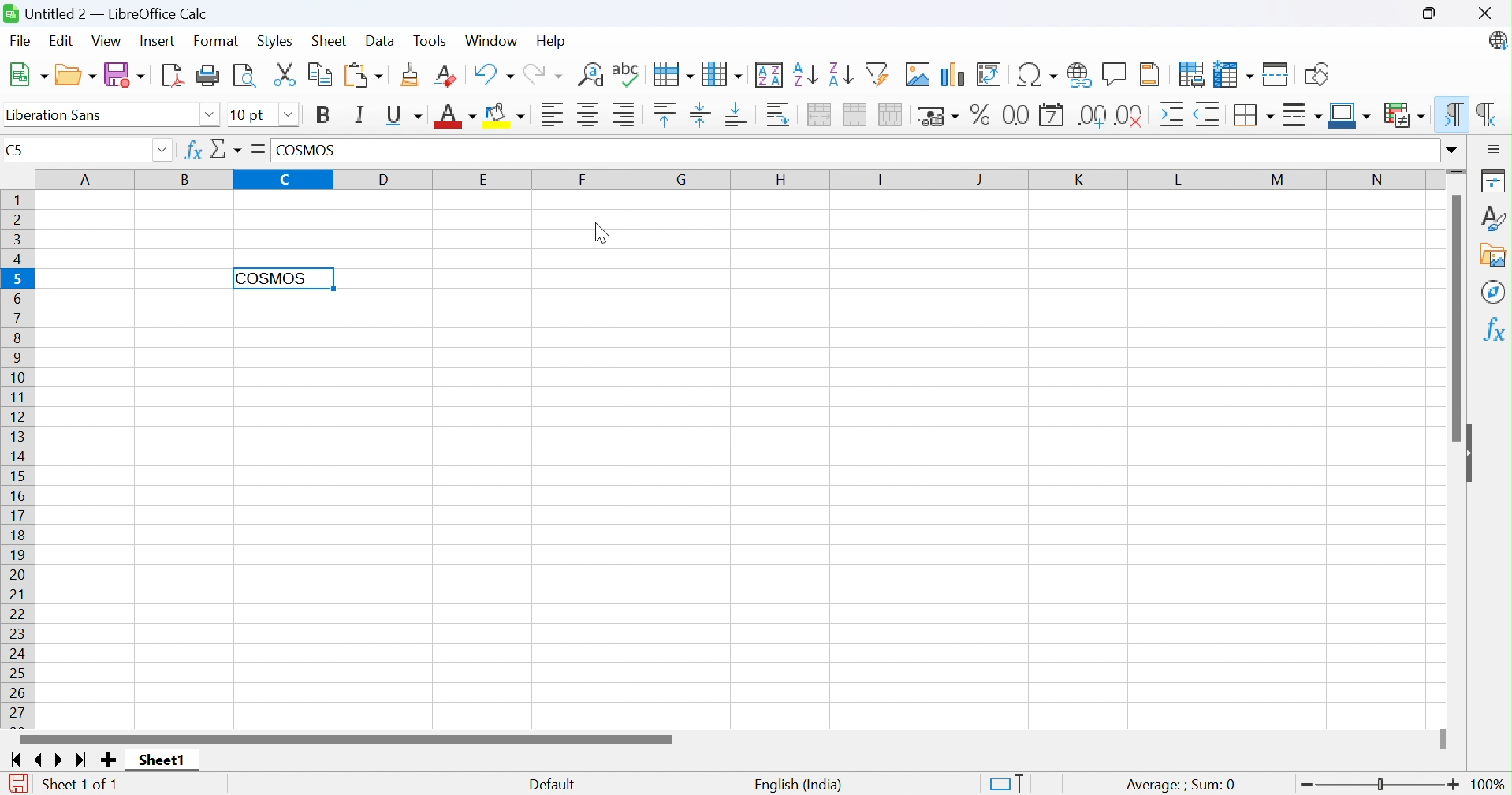  I want to click on Properties, so click(1495, 181).